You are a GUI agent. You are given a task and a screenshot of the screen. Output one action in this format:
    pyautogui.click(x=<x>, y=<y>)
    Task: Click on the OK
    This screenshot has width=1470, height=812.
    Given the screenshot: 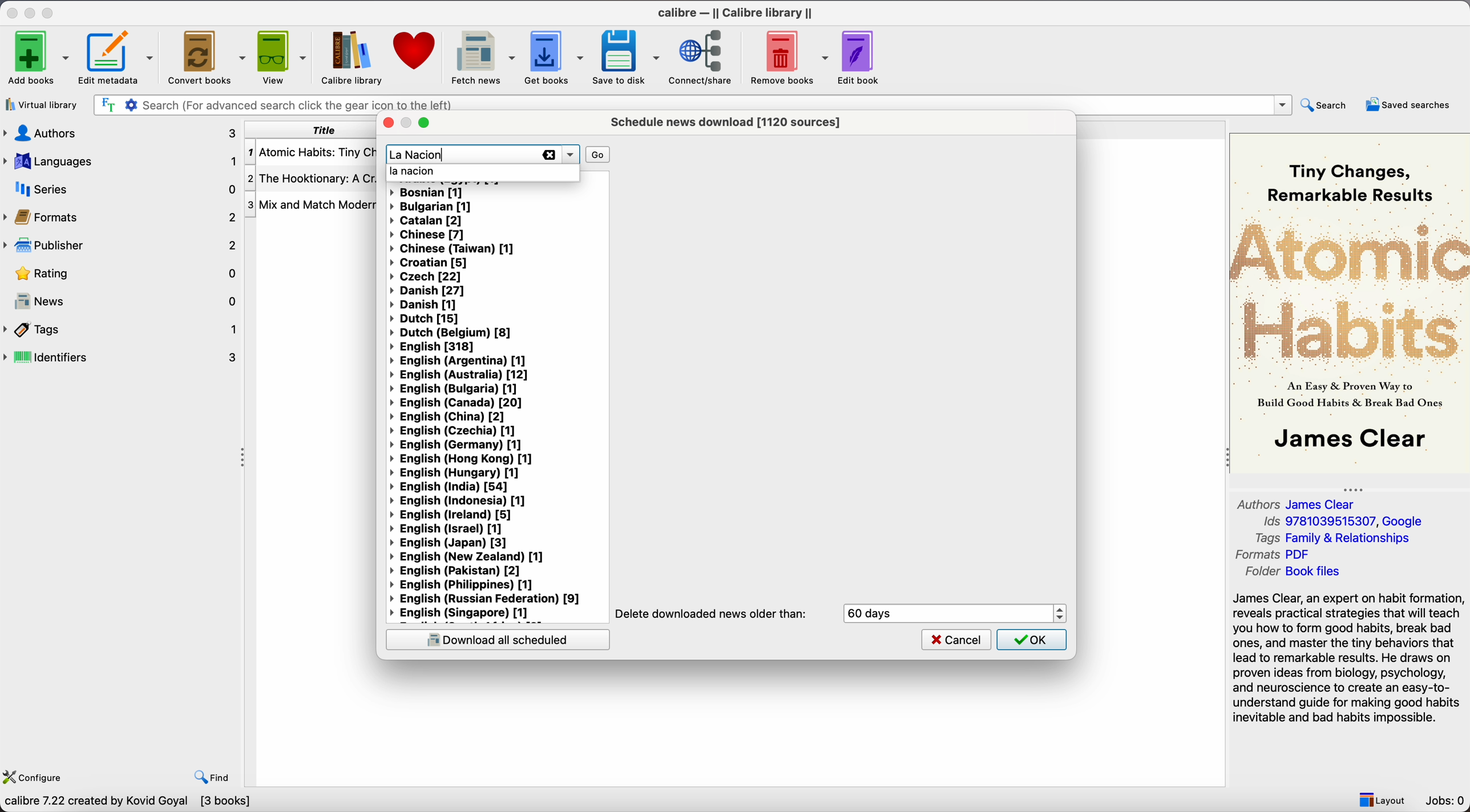 What is the action you would take?
    pyautogui.click(x=1032, y=640)
    